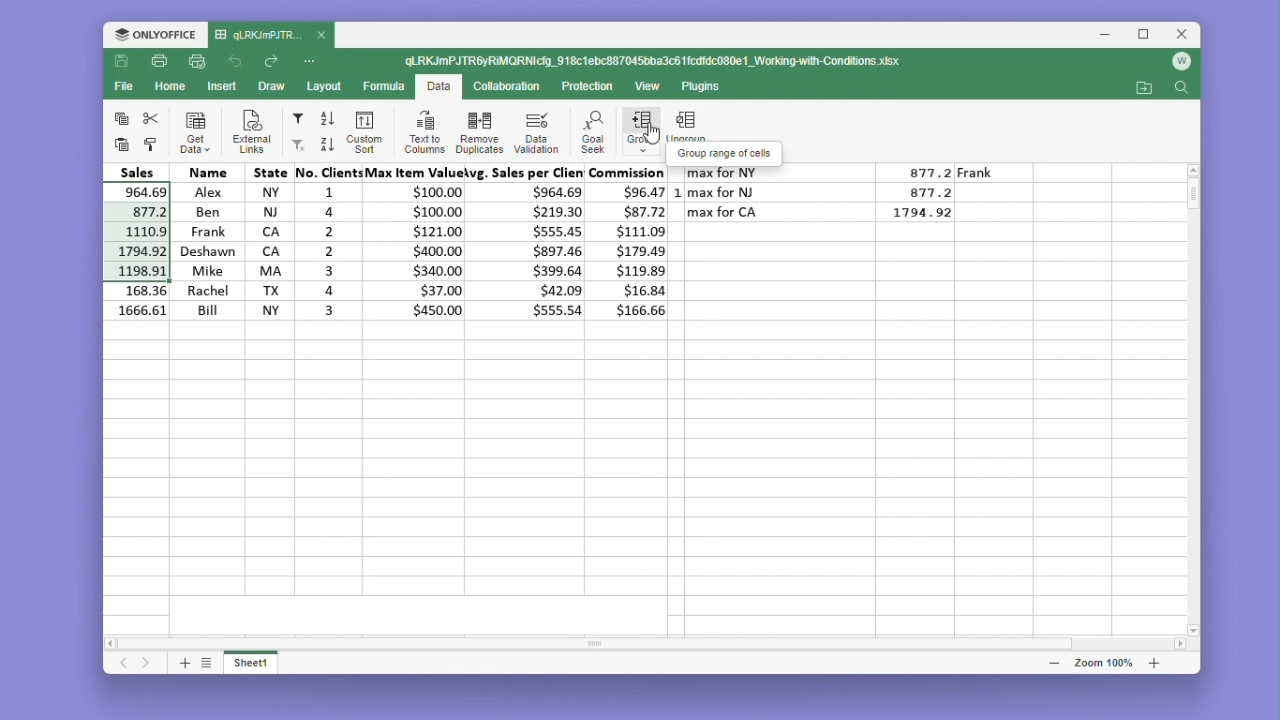  I want to click on Search, so click(1181, 89).